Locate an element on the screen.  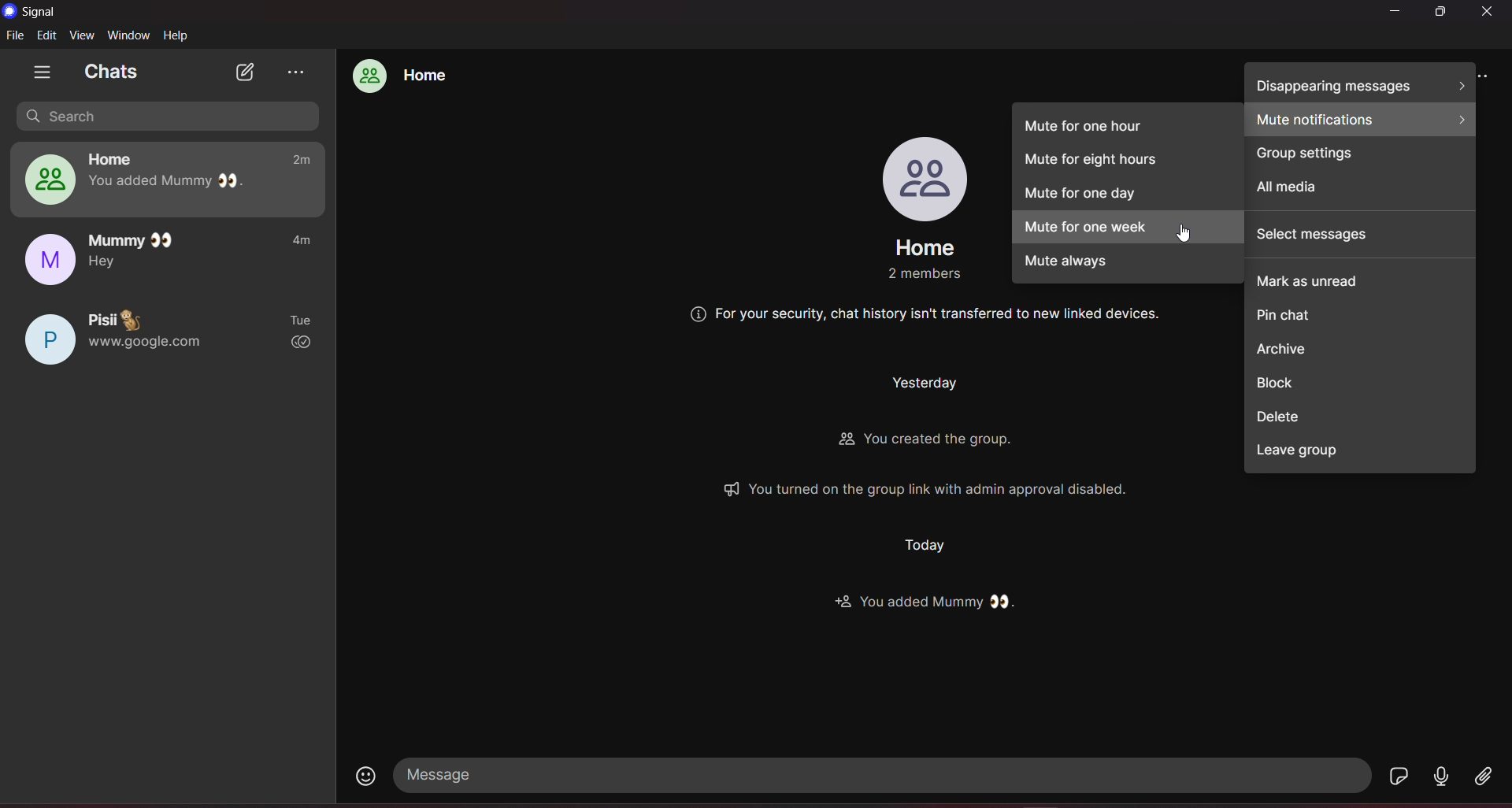
emojis is located at coordinates (367, 775).